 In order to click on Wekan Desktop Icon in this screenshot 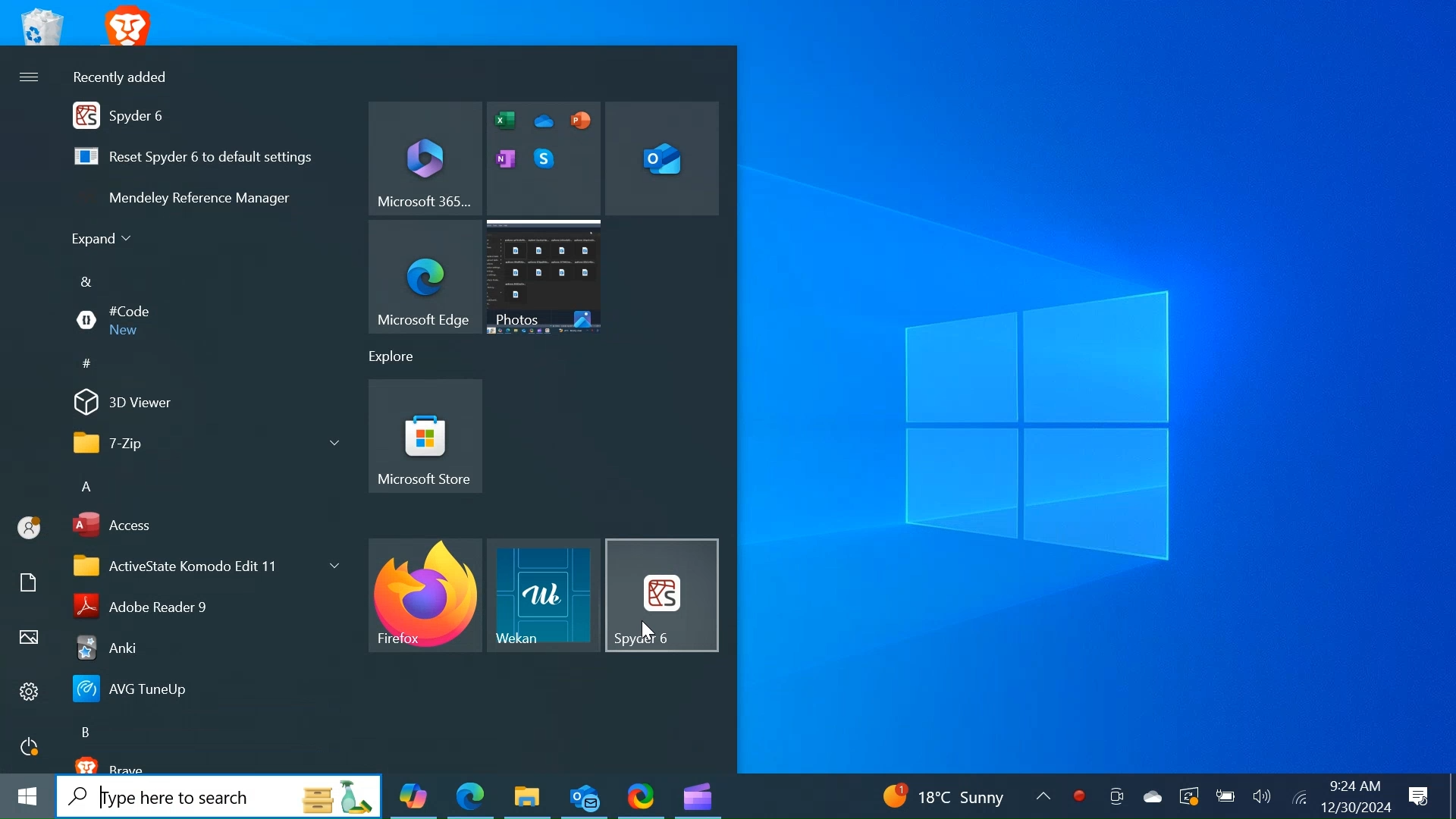, I will do `click(544, 595)`.